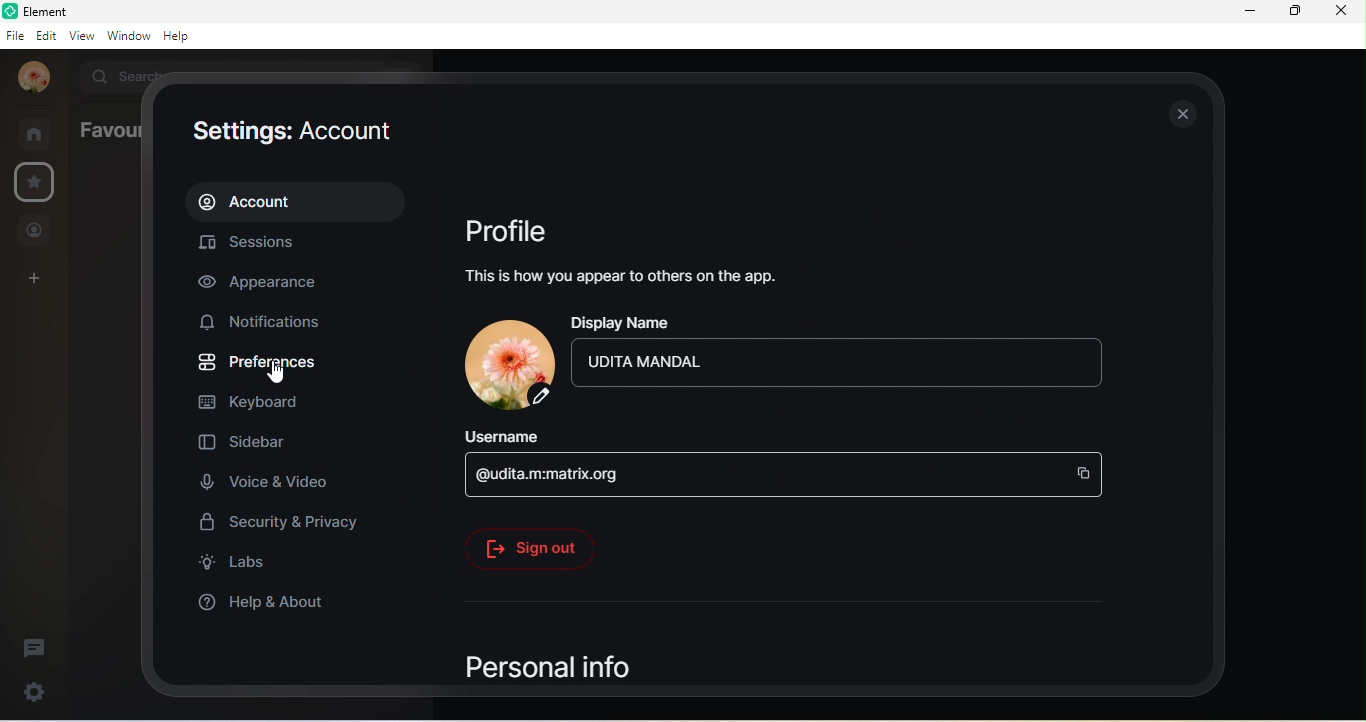  What do you see at coordinates (502, 364) in the screenshot?
I see `profile photo` at bounding box center [502, 364].